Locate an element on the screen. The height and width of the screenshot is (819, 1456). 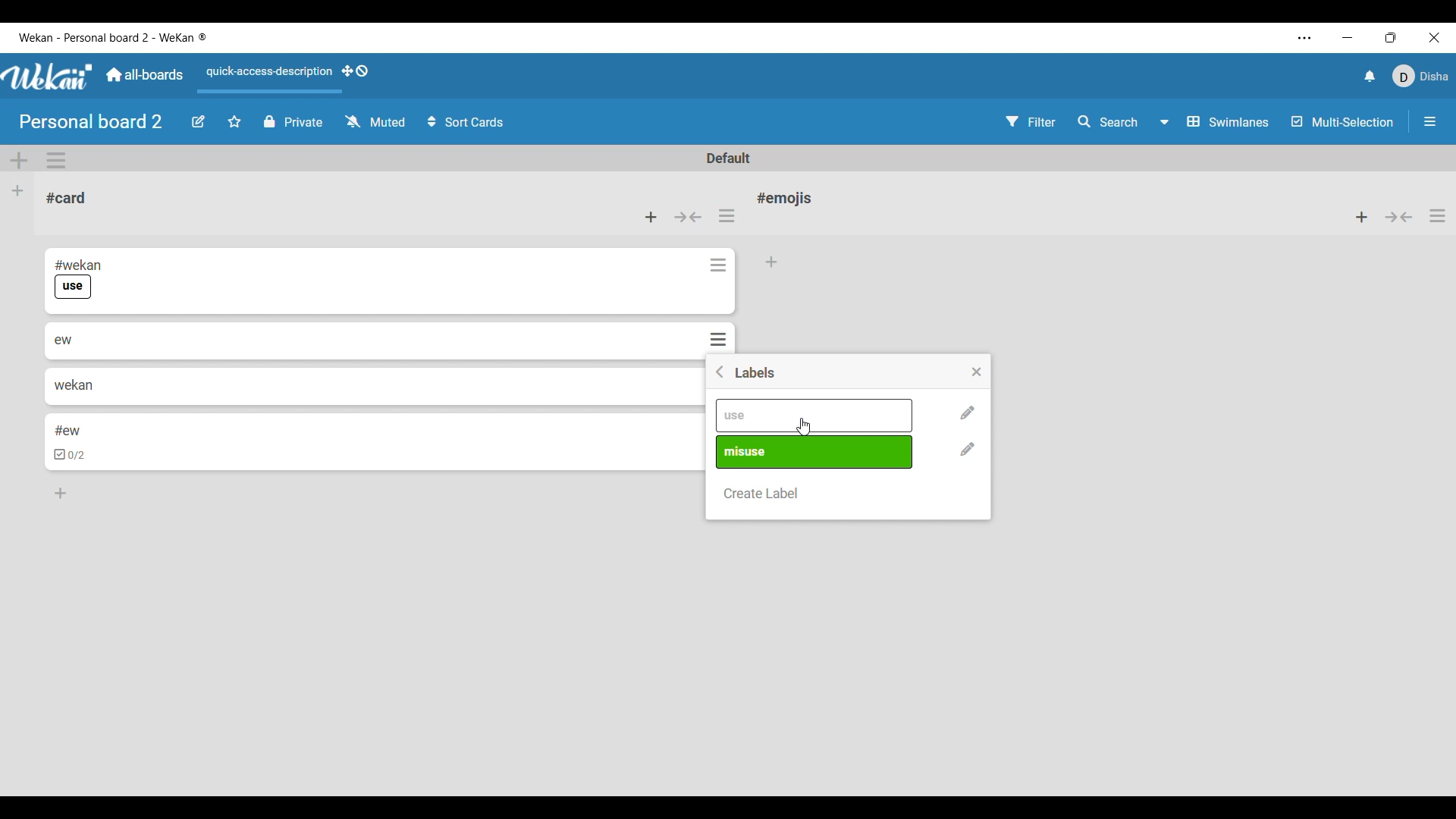
Search is located at coordinates (1106, 121).